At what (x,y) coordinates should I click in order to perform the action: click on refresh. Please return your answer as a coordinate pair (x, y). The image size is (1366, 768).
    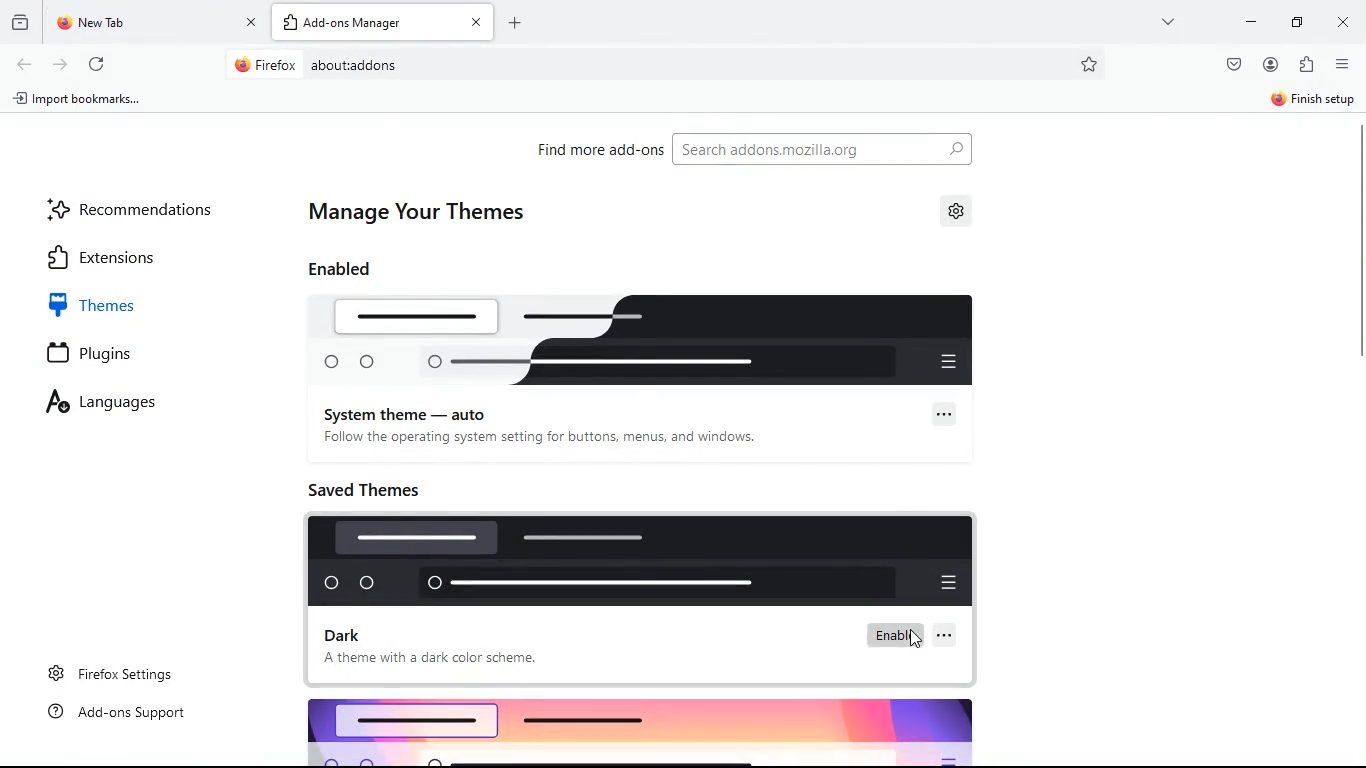
    Looking at the image, I should click on (102, 66).